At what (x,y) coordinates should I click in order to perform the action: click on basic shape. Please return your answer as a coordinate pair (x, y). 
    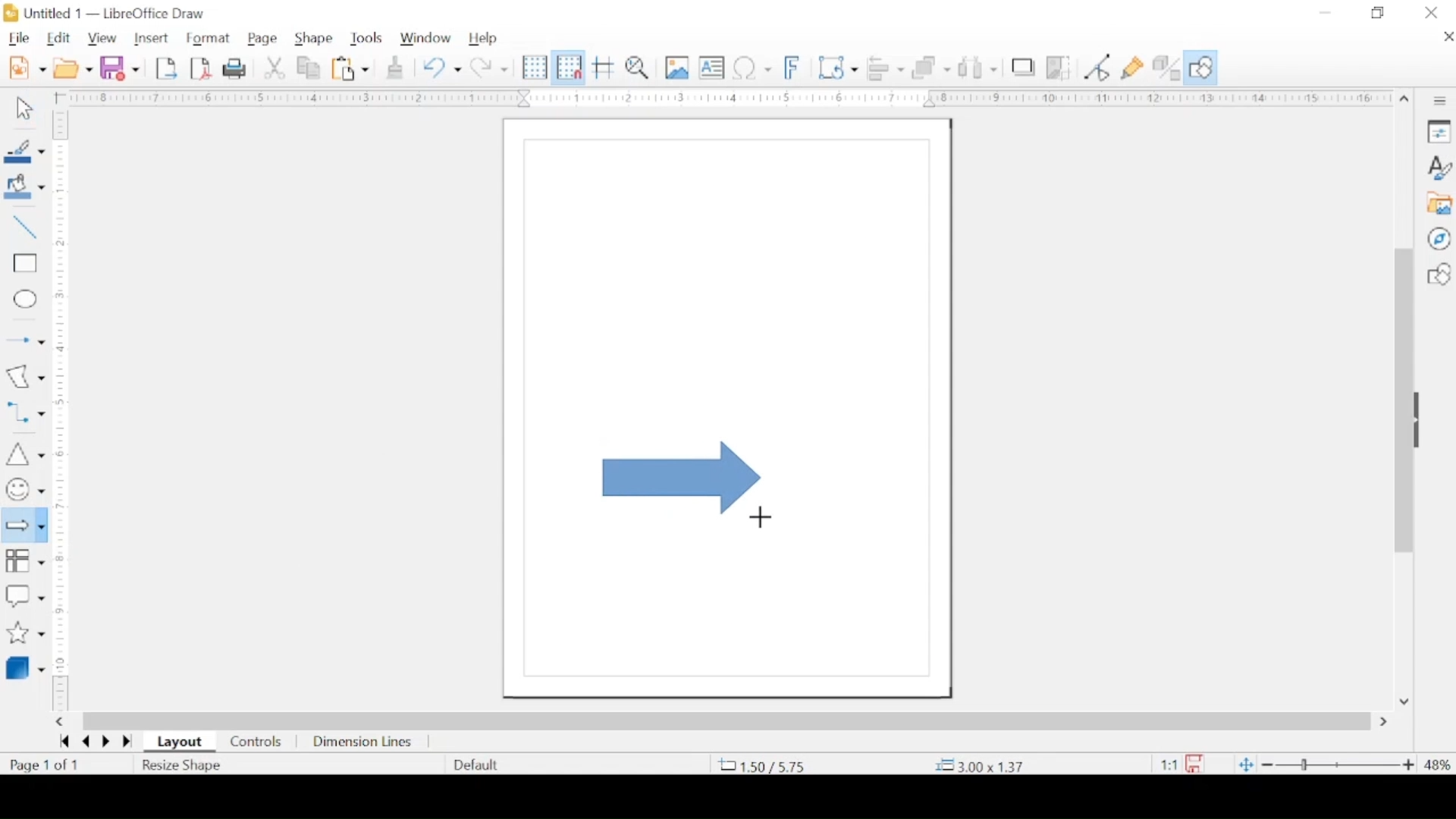
    Looking at the image, I should click on (1438, 274).